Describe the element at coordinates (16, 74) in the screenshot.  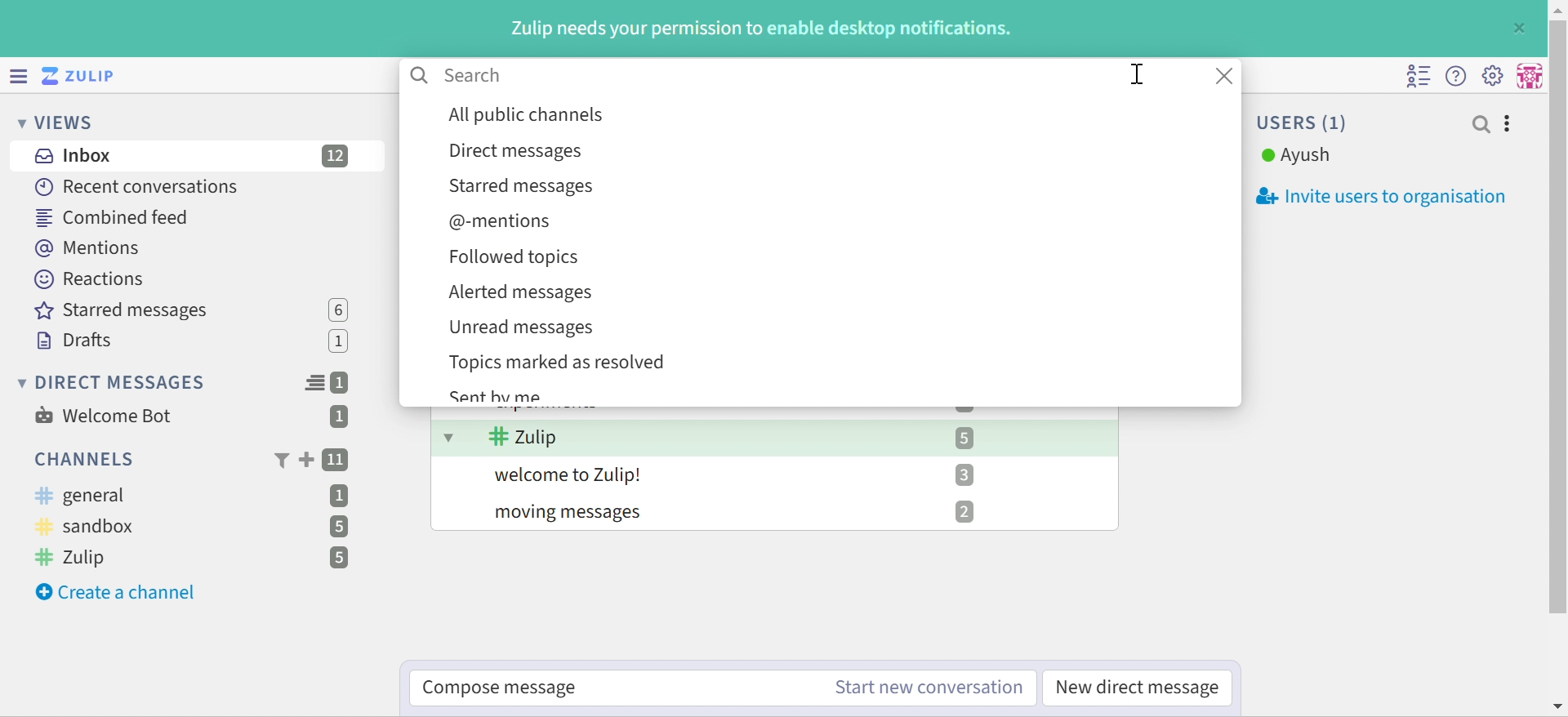
I see `Hide left sidebar` at that location.